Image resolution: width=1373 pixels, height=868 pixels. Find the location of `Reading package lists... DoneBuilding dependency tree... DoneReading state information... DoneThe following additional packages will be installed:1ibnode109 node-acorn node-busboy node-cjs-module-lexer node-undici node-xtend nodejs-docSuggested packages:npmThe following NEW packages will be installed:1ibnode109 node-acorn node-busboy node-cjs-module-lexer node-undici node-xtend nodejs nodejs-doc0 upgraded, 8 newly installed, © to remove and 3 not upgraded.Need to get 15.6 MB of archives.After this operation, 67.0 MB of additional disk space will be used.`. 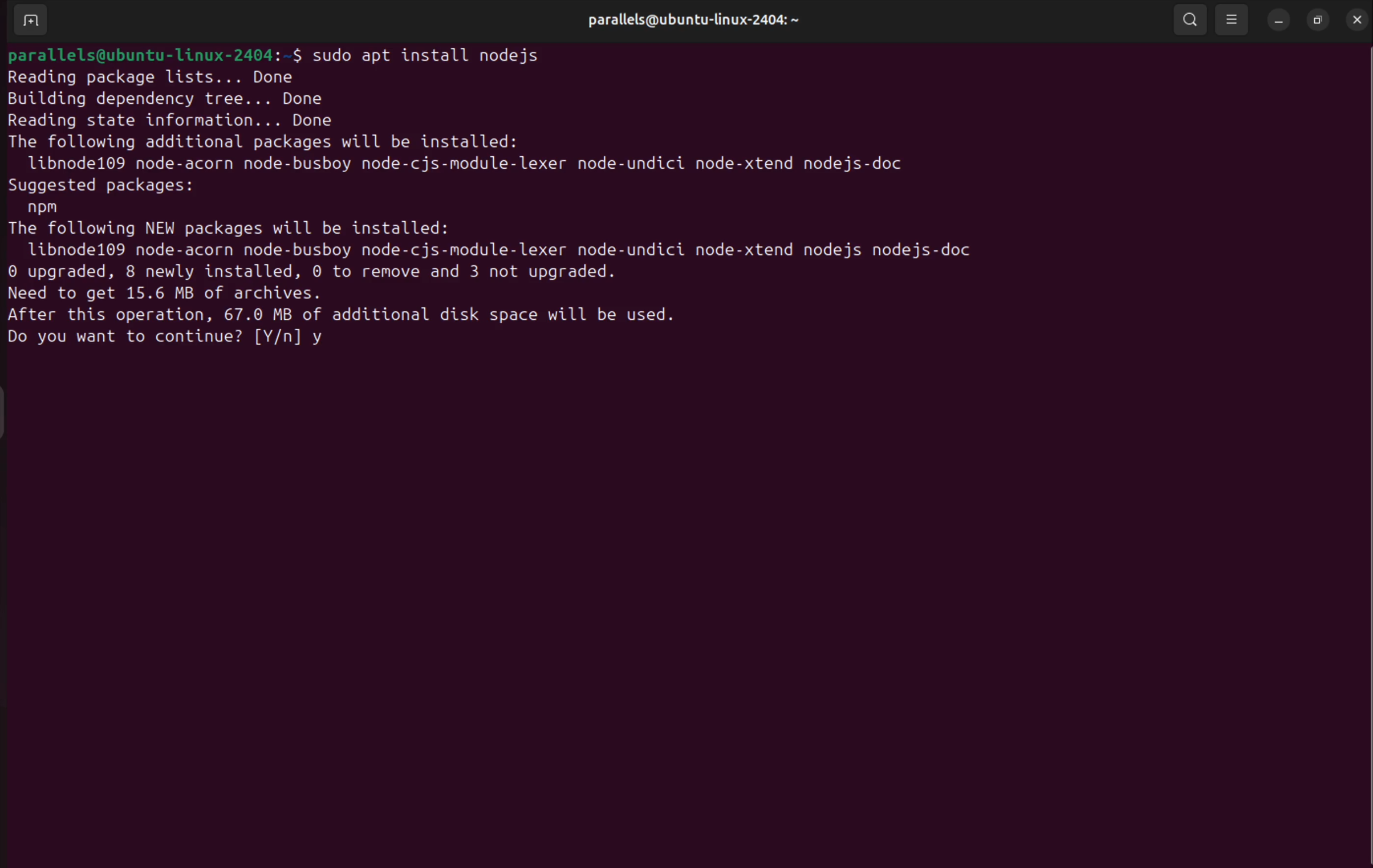

Reading package lists... DoneBuilding dependency tree... DoneReading state information... DoneThe following additional packages will be installed:1ibnode109 node-acorn node-busboy node-cjs-module-lexer node-undici node-xtend nodejs-docSuggested packages:npmThe following NEW packages will be installed:1ibnode109 node-acorn node-busboy node-cjs-module-lexer node-undici node-xtend nodejs nodejs-doc0 upgraded, 8 newly installed, © to remove and 3 not upgraded.Need to get 15.6 MB of archives.After this operation, 67.0 MB of additional disk space will be used. is located at coordinates (523, 195).